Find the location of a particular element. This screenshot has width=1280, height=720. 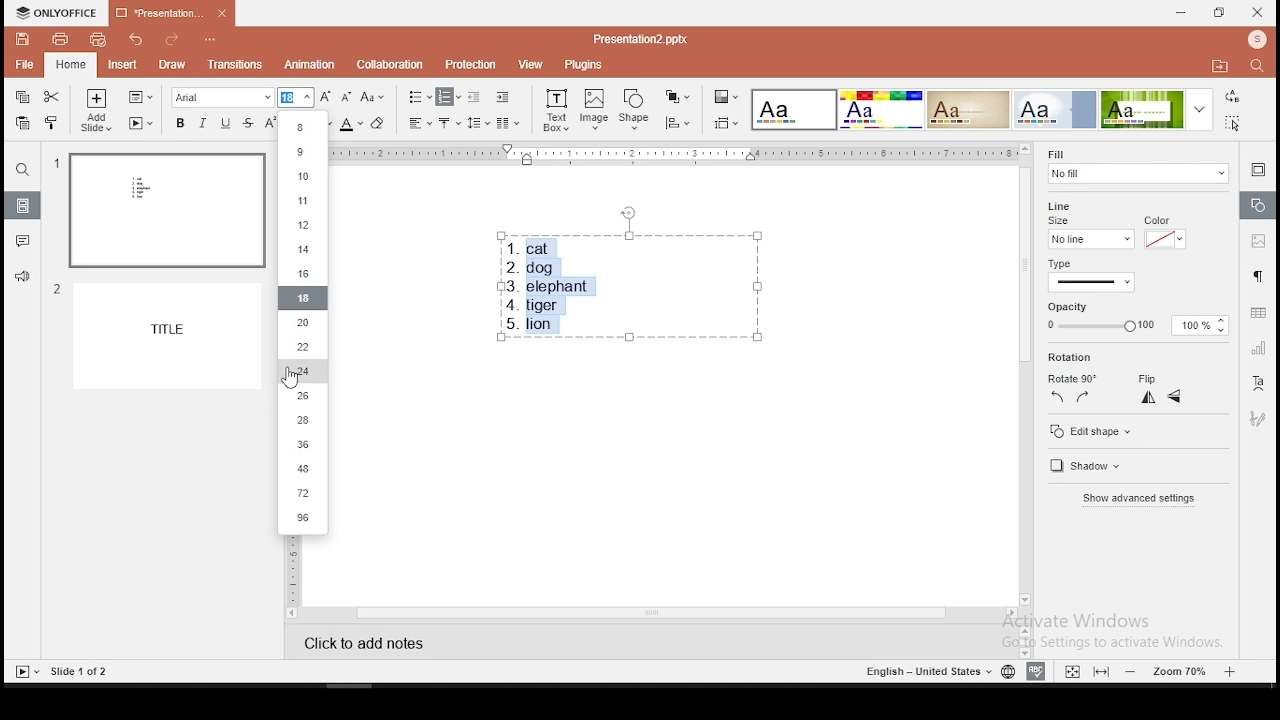

decrease font size is located at coordinates (348, 97).